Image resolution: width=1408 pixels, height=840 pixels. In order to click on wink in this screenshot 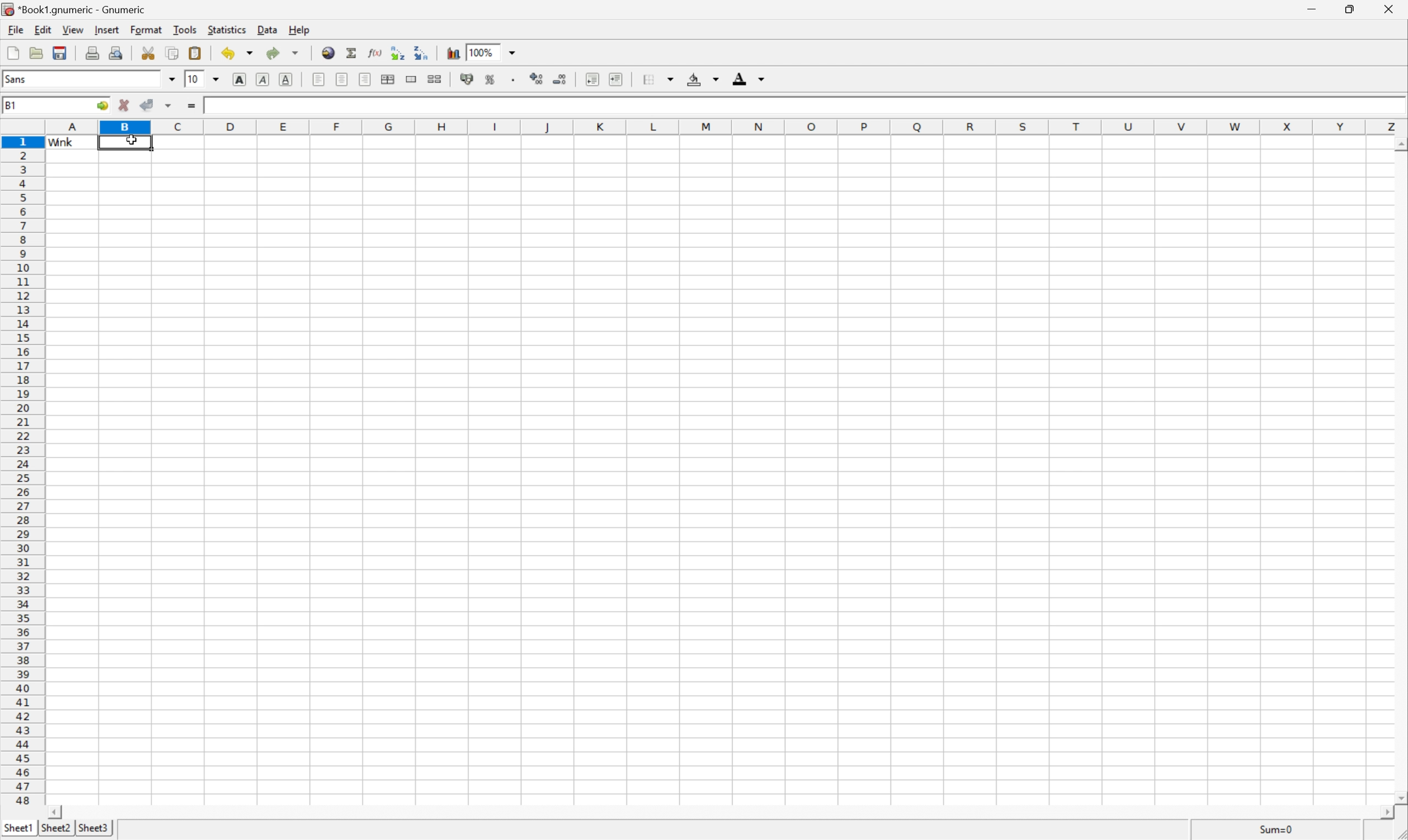, I will do `click(217, 105)`.